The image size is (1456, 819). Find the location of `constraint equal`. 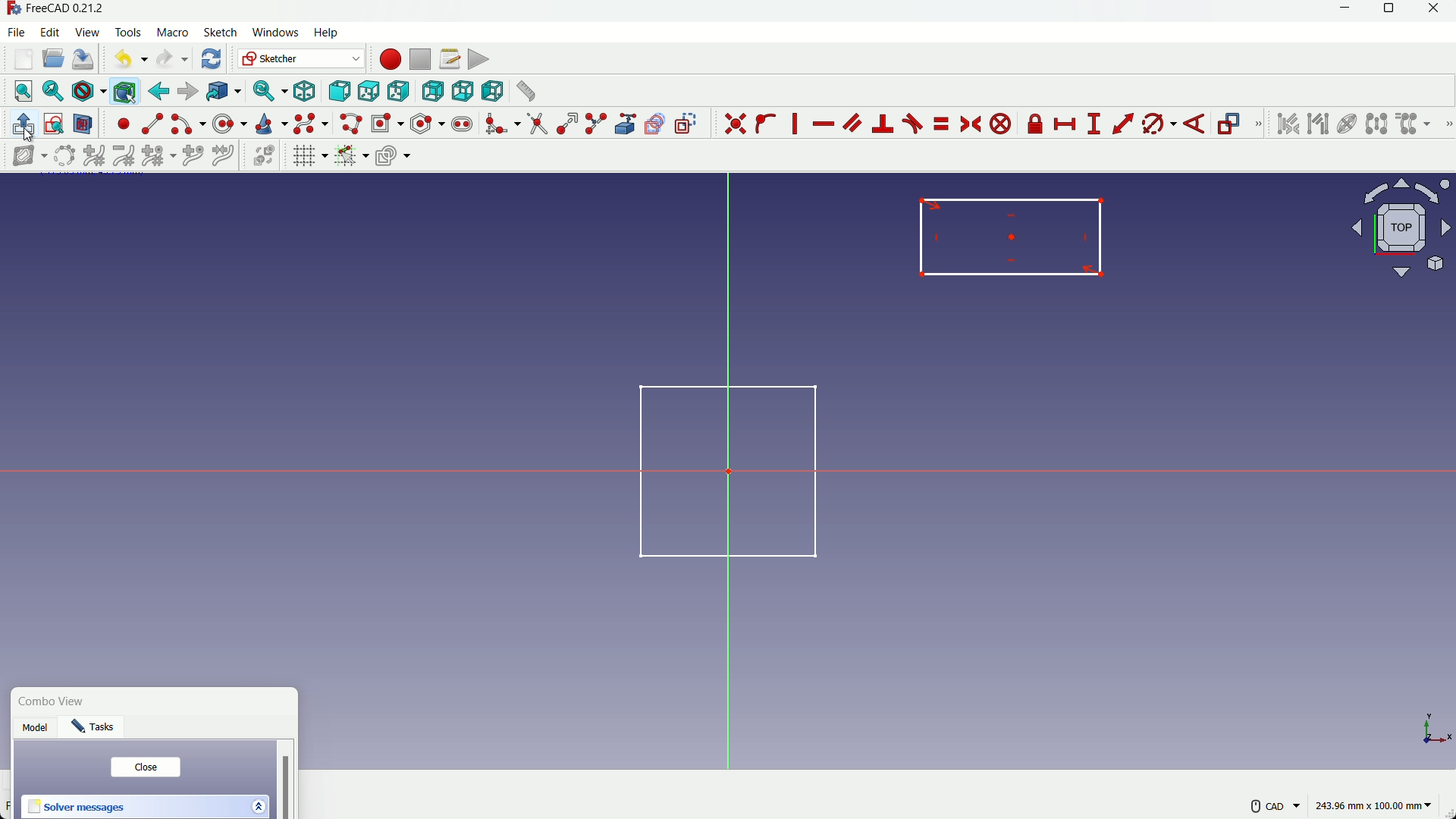

constraint equal is located at coordinates (940, 124).